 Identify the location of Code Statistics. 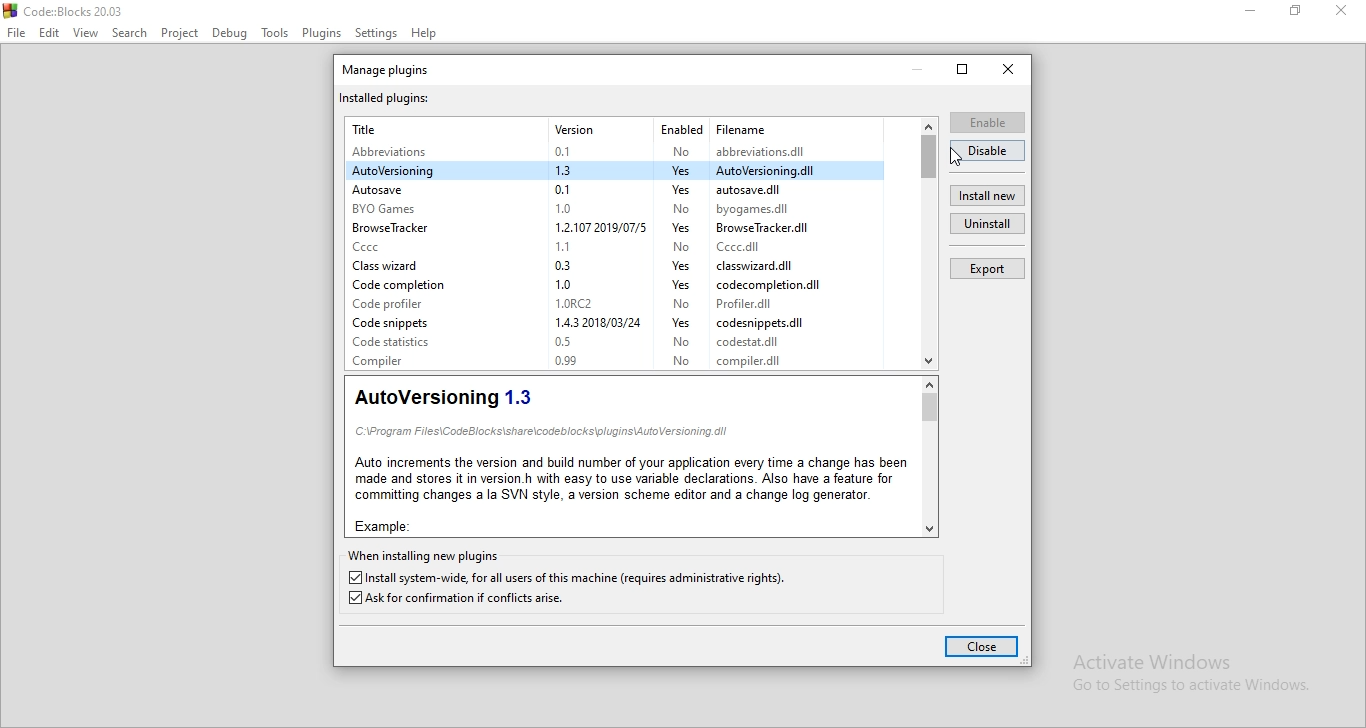
(402, 342).